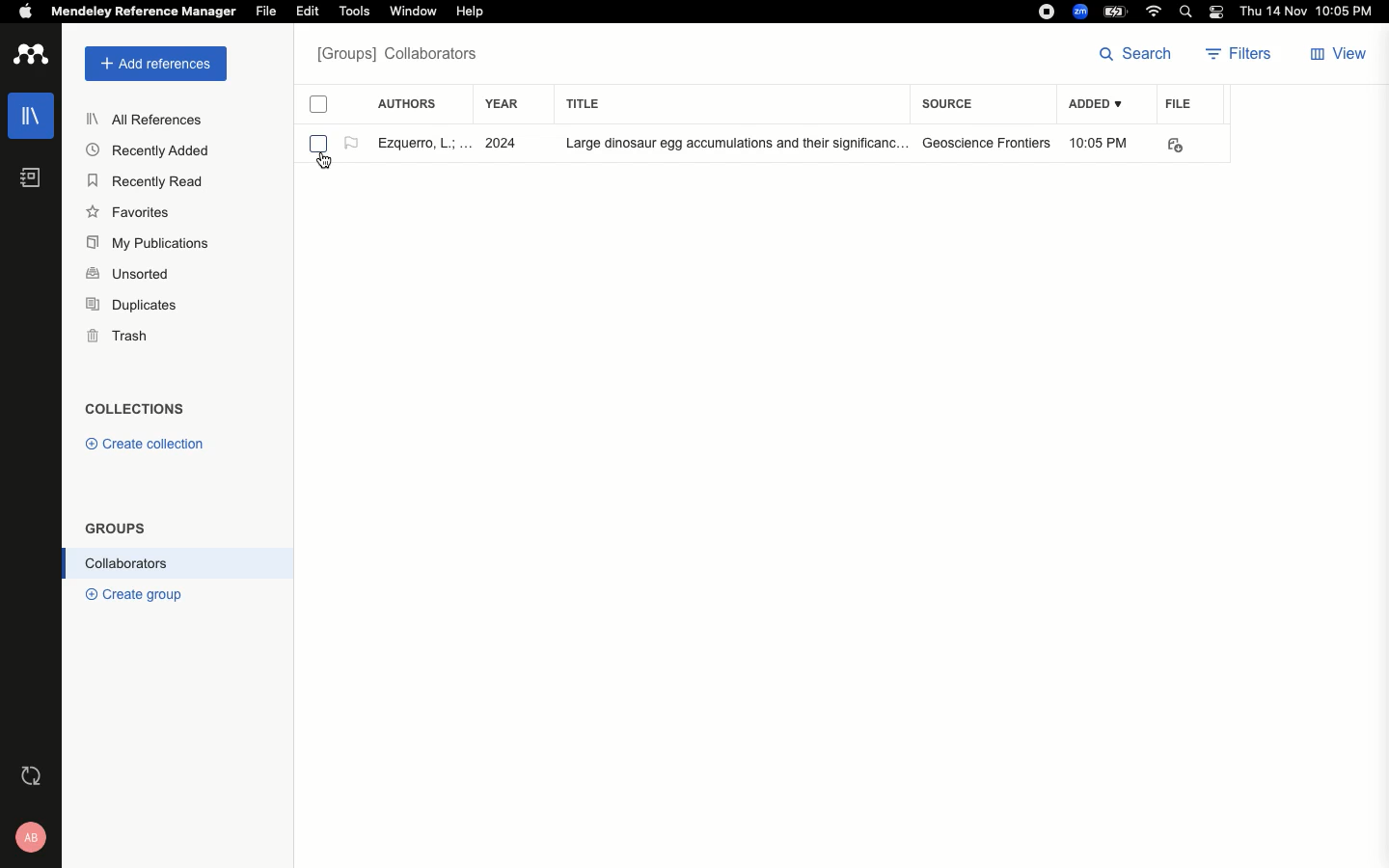 This screenshot has height=868, width=1389. What do you see at coordinates (154, 245) in the screenshot?
I see `My publications` at bounding box center [154, 245].